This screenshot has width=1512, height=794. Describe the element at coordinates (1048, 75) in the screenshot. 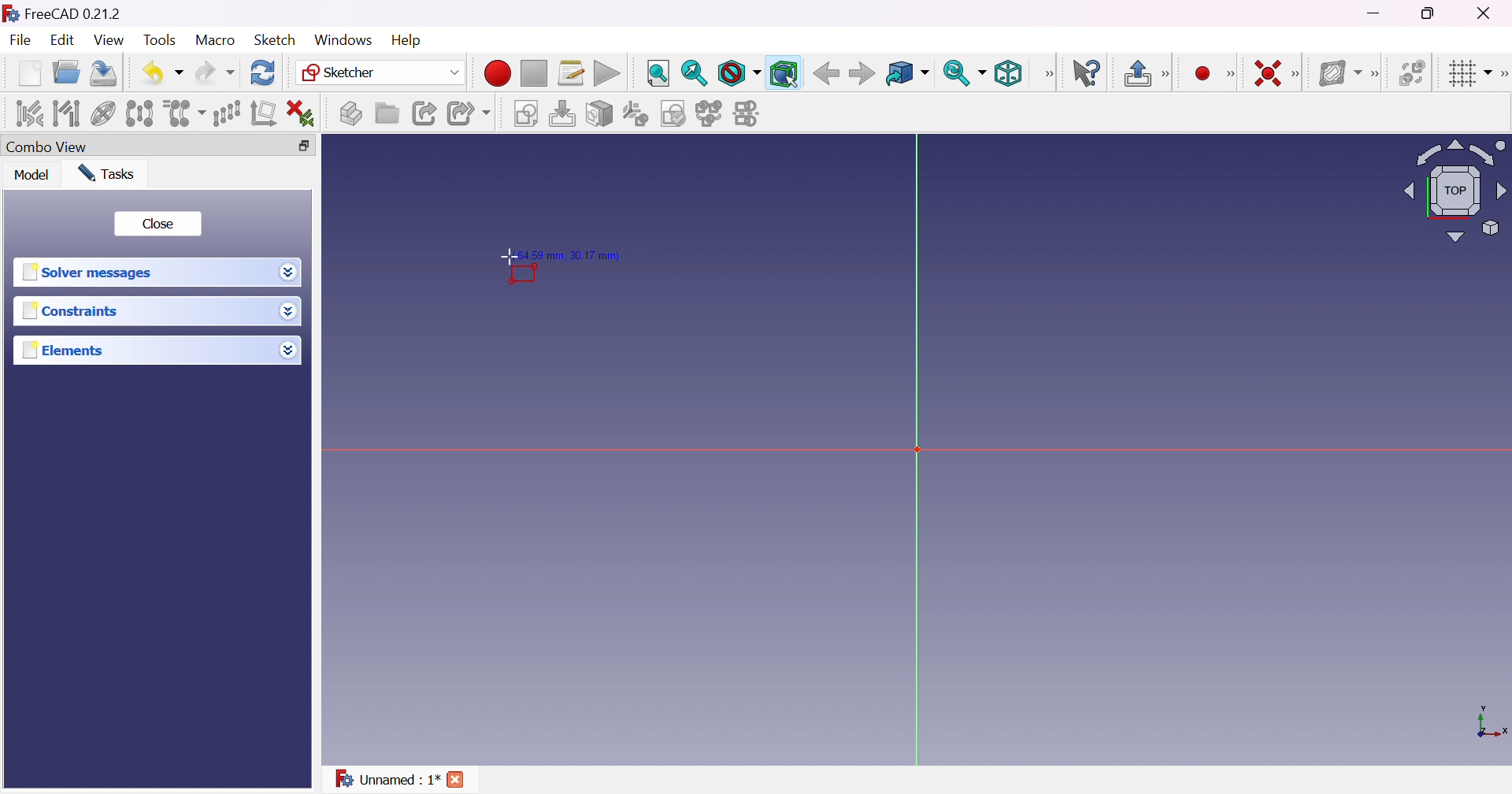

I see `View` at that location.